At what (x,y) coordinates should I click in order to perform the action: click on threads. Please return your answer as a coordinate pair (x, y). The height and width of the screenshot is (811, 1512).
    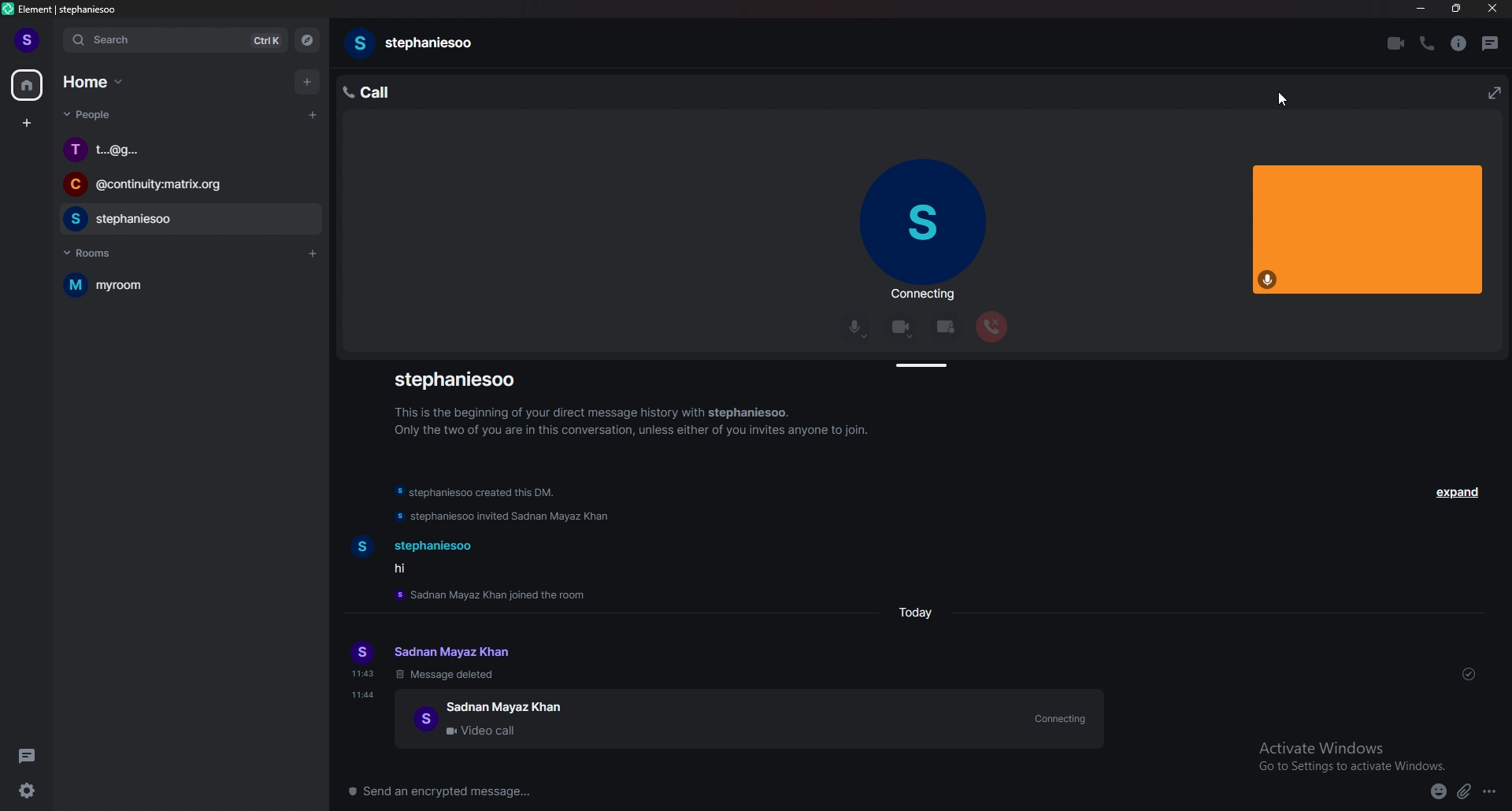
    Looking at the image, I should click on (1495, 43).